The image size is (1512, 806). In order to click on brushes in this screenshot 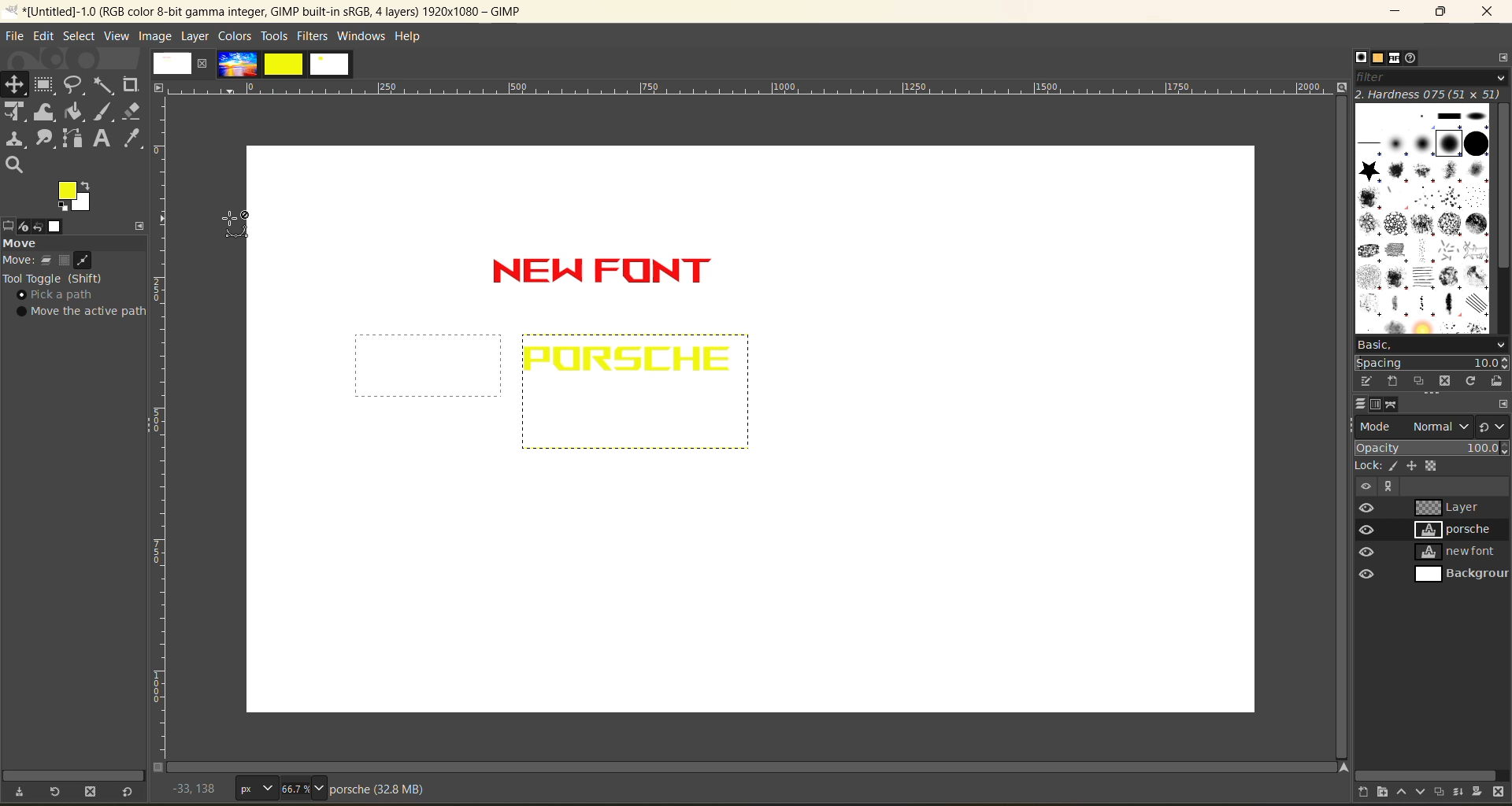, I will do `click(1351, 57)`.